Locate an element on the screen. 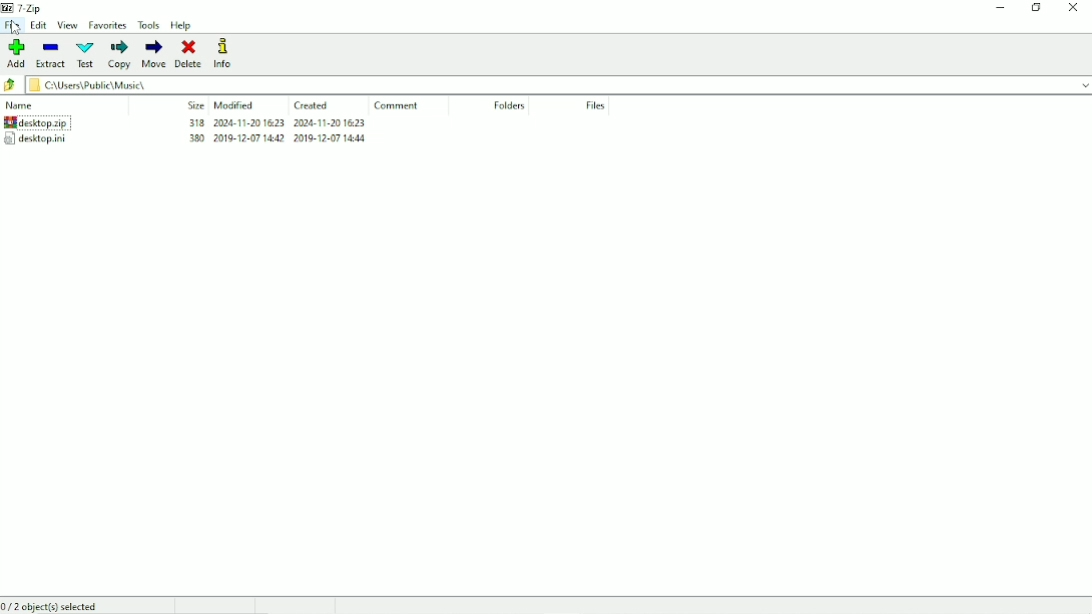 The height and width of the screenshot is (614, 1092). Restore down is located at coordinates (1037, 7).